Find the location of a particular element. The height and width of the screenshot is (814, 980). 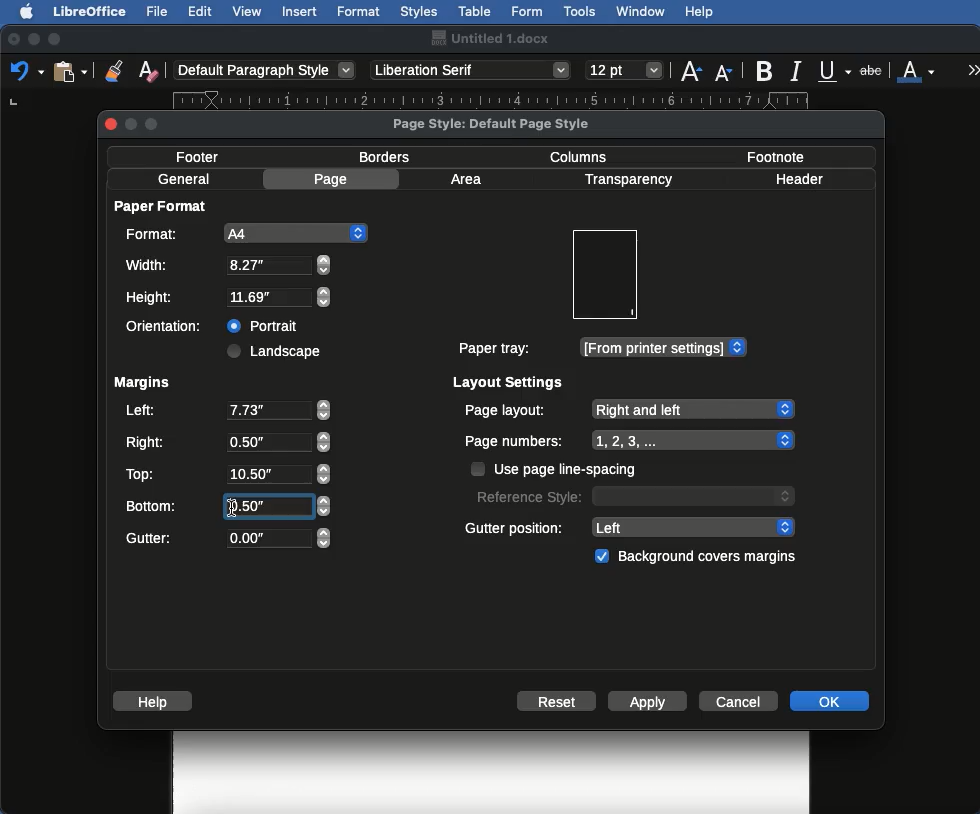

Help is located at coordinates (156, 701).